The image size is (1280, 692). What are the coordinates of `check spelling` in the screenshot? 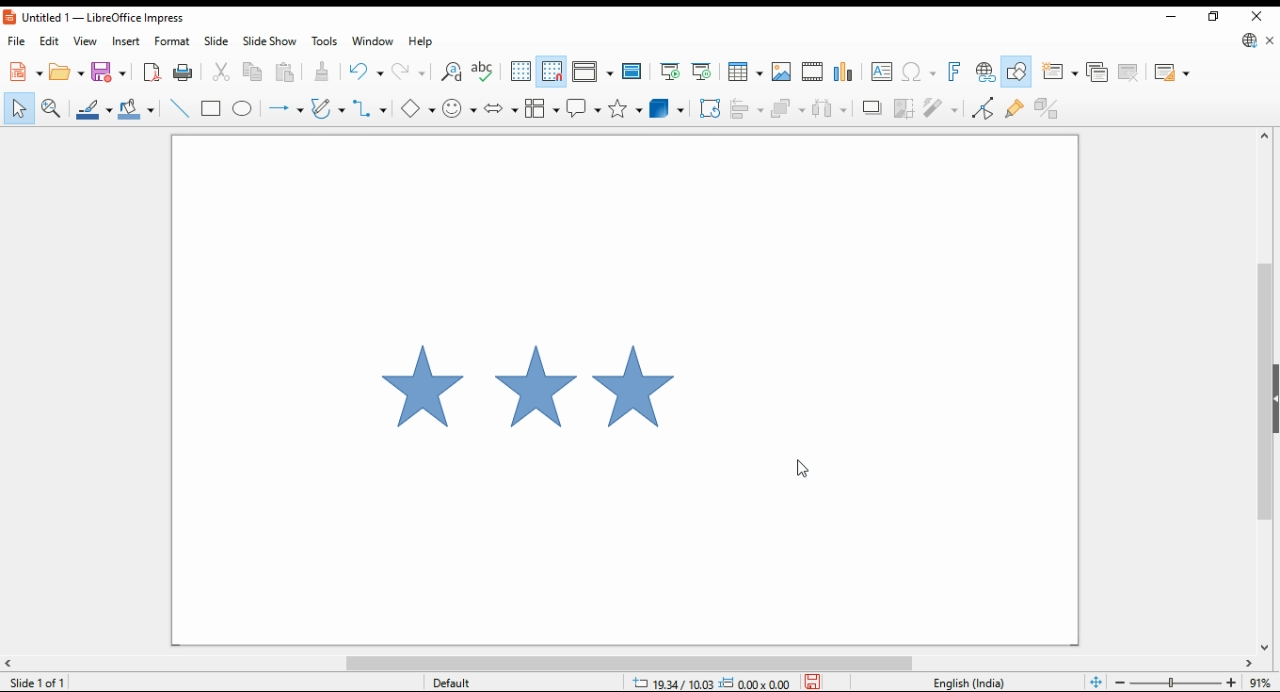 It's located at (484, 73).